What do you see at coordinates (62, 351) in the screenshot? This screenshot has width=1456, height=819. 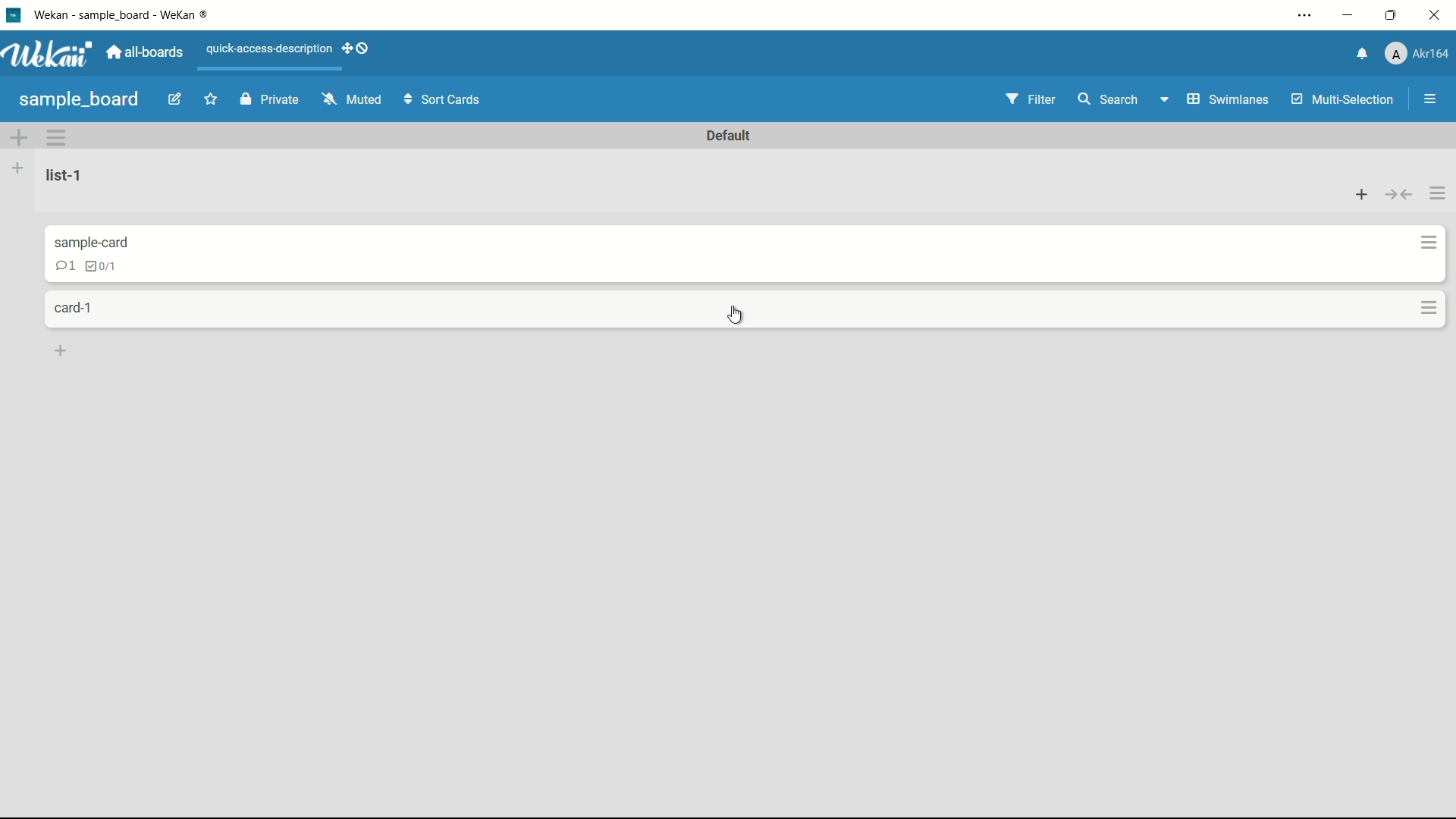 I see `add card` at bounding box center [62, 351].